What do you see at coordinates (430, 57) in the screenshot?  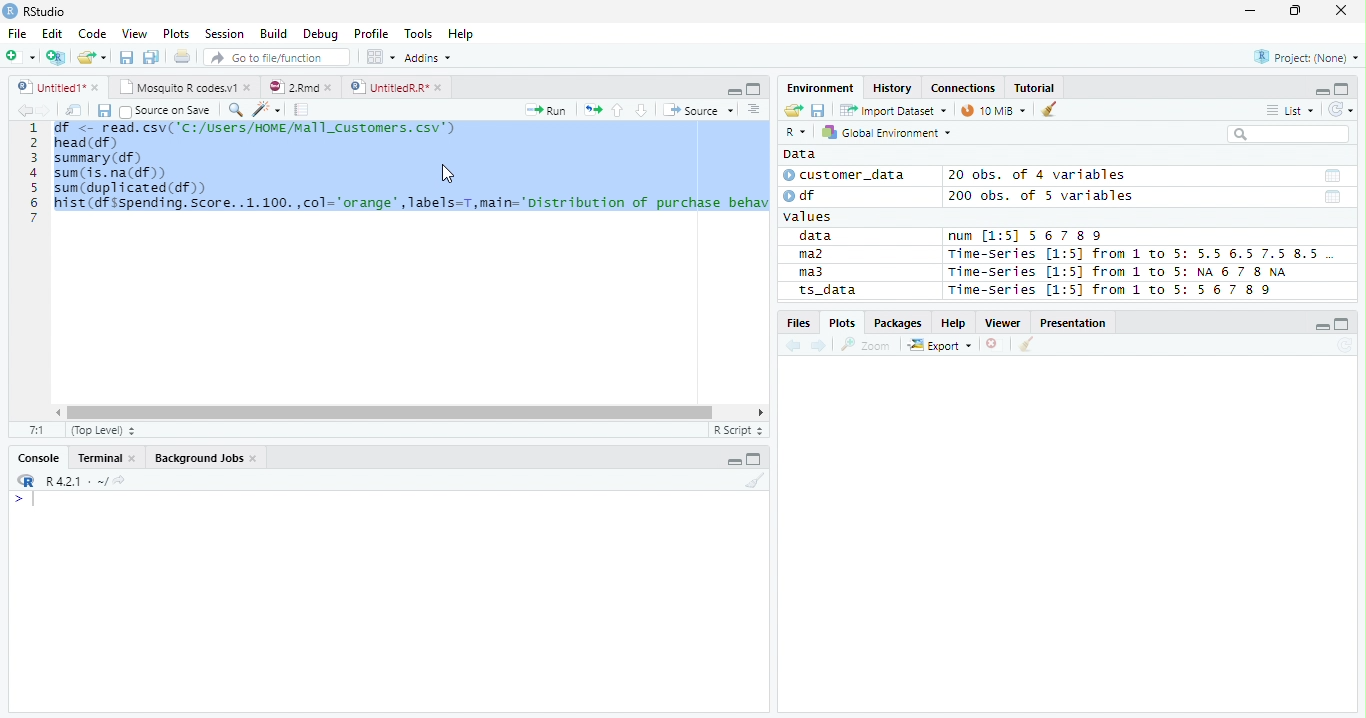 I see `Addins` at bounding box center [430, 57].